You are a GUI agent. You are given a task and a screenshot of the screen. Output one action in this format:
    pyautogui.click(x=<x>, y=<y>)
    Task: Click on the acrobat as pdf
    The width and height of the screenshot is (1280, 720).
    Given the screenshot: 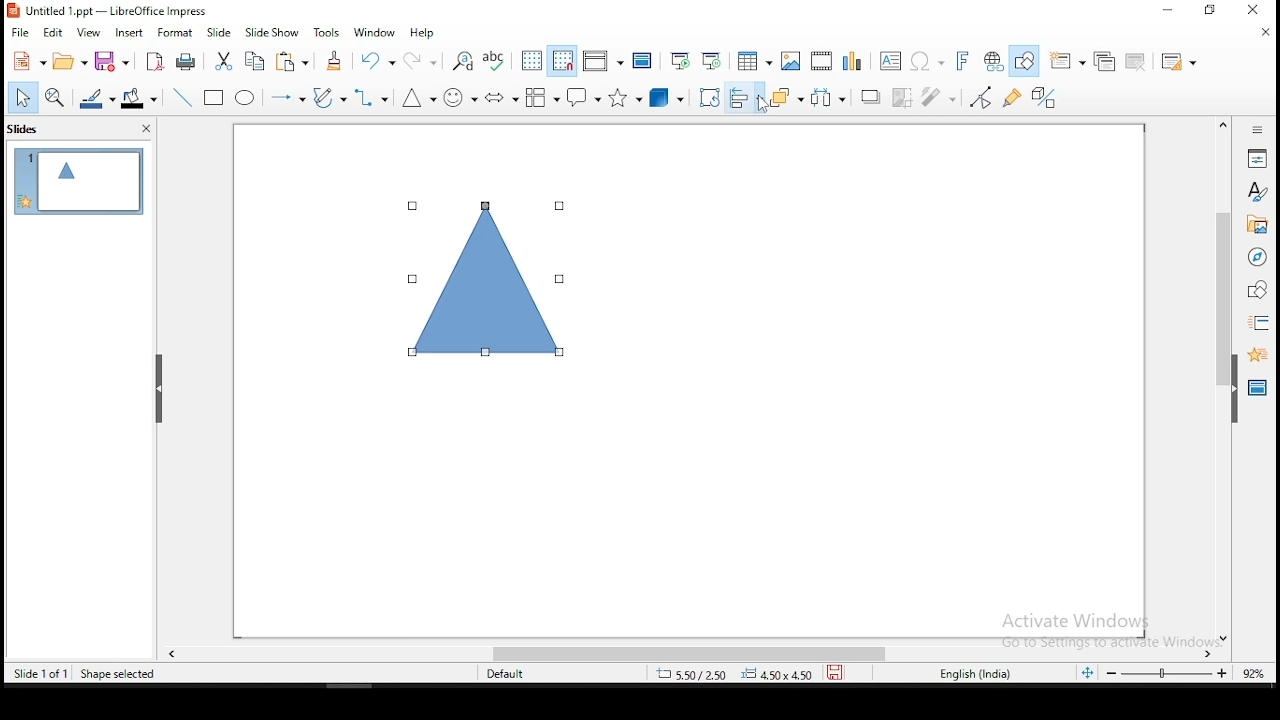 What is the action you would take?
    pyautogui.click(x=156, y=61)
    